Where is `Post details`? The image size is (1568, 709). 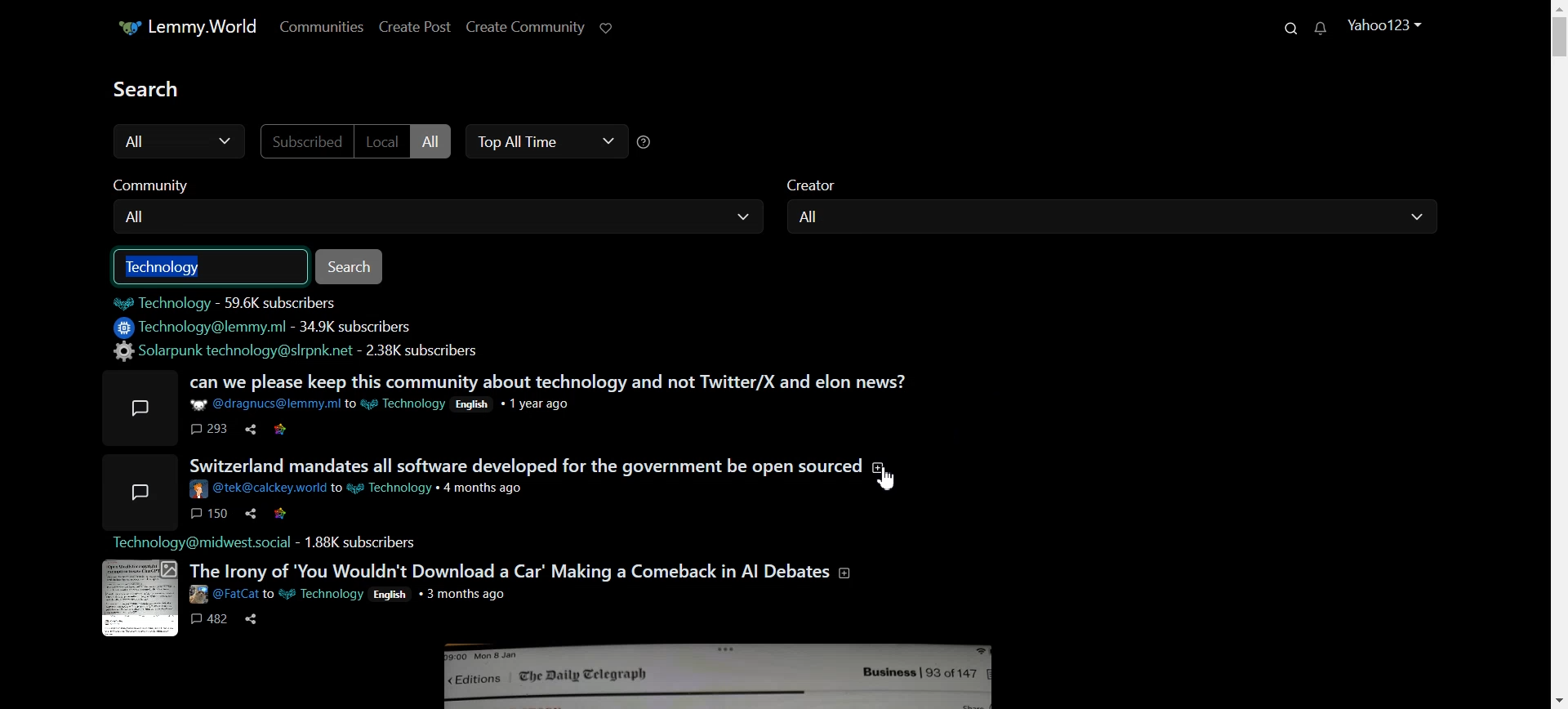 Post details is located at coordinates (385, 404).